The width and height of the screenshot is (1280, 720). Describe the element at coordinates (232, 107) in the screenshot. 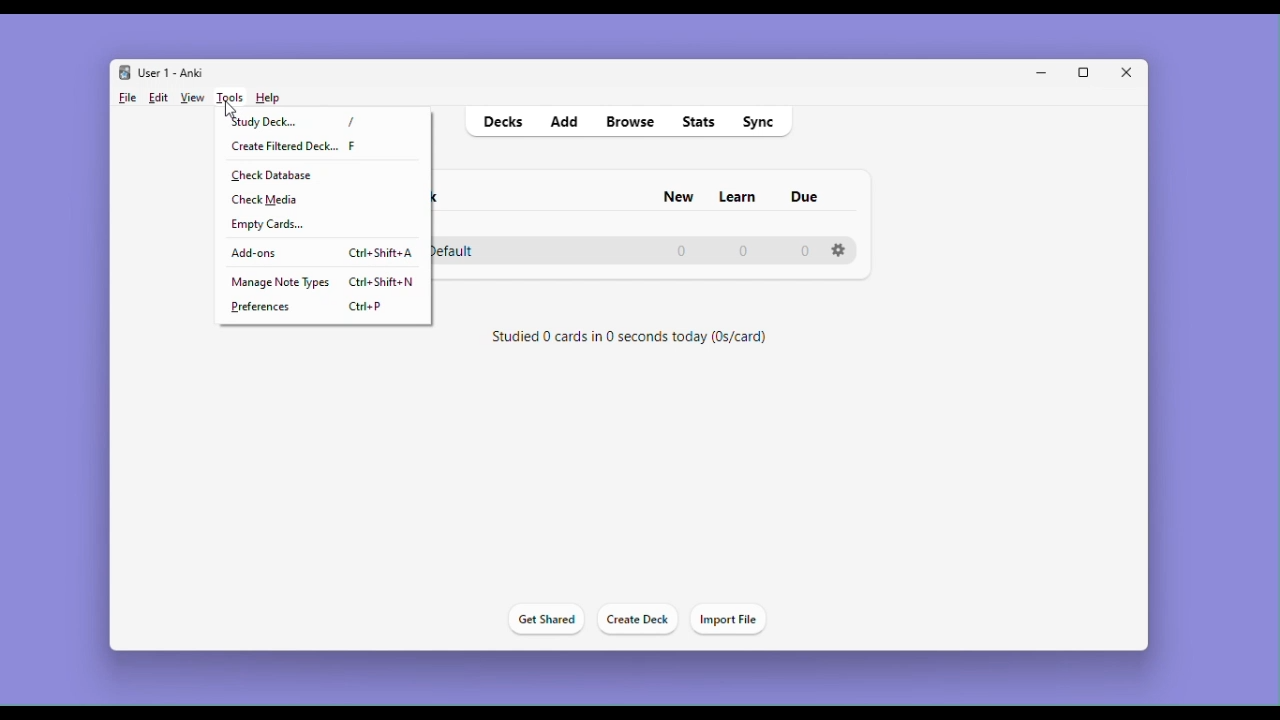

I see `cursor` at that location.